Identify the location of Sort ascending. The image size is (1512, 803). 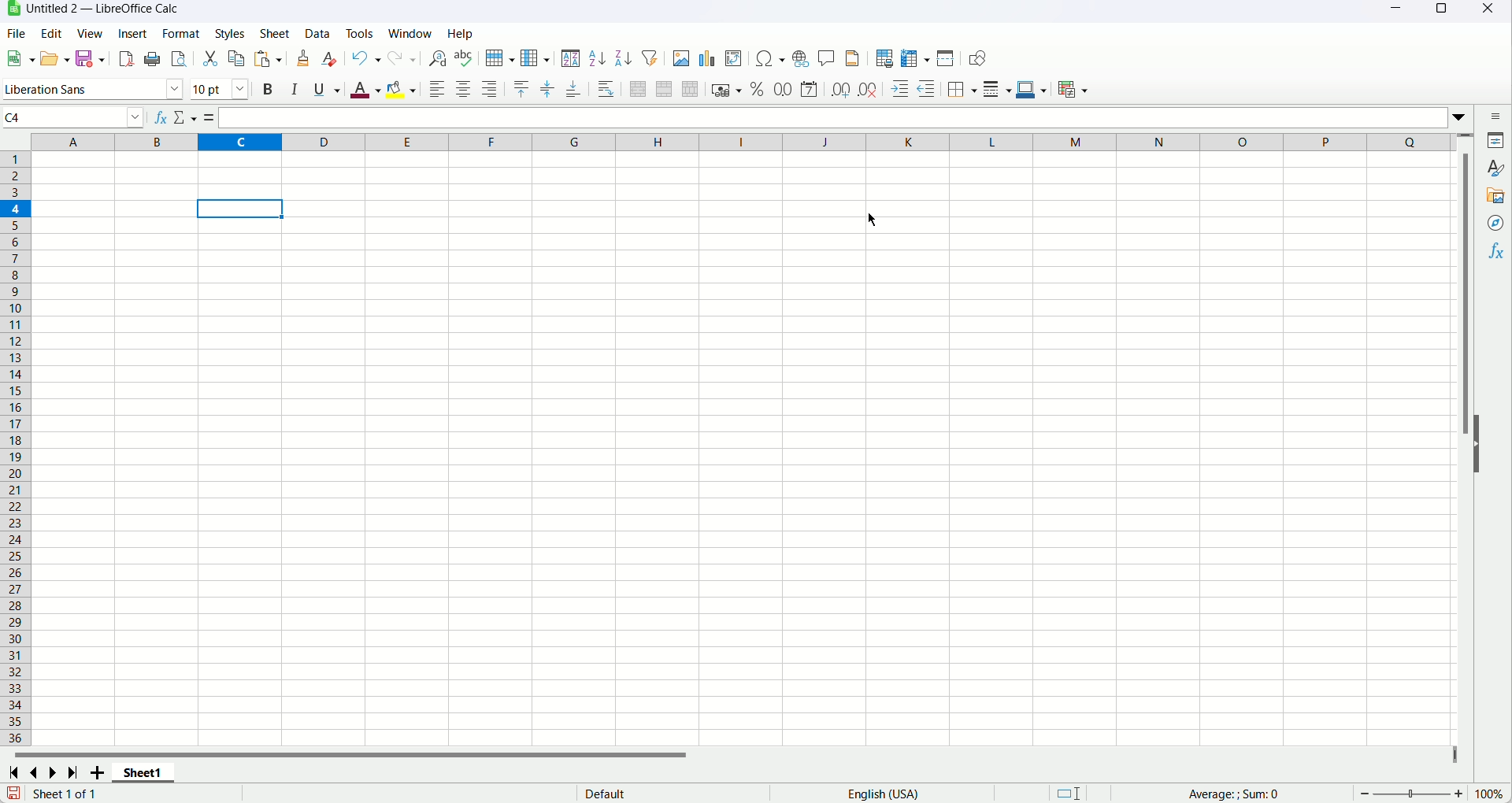
(598, 59).